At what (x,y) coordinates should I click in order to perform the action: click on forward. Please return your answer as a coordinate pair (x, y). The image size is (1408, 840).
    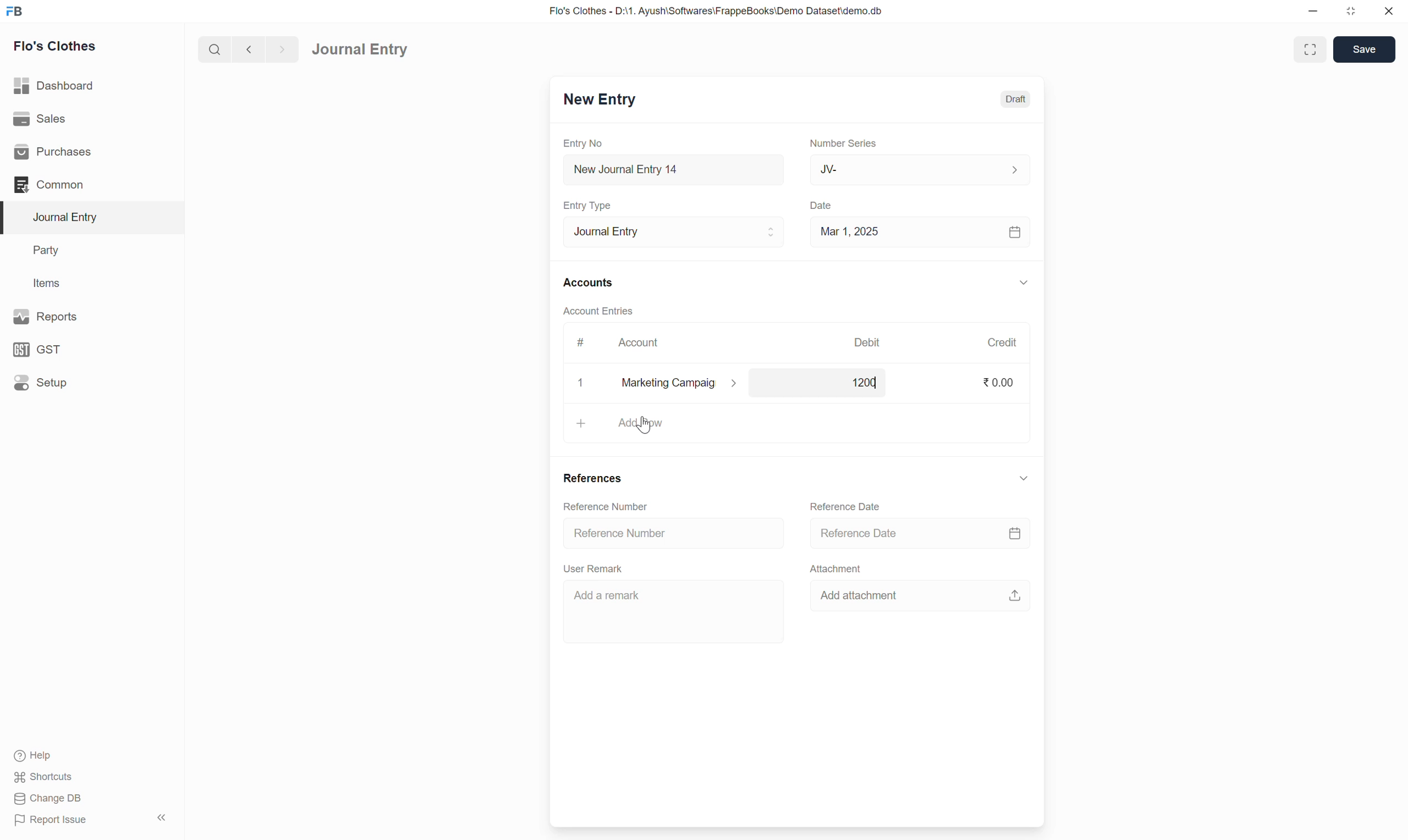
    Looking at the image, I should click on (280, 50).